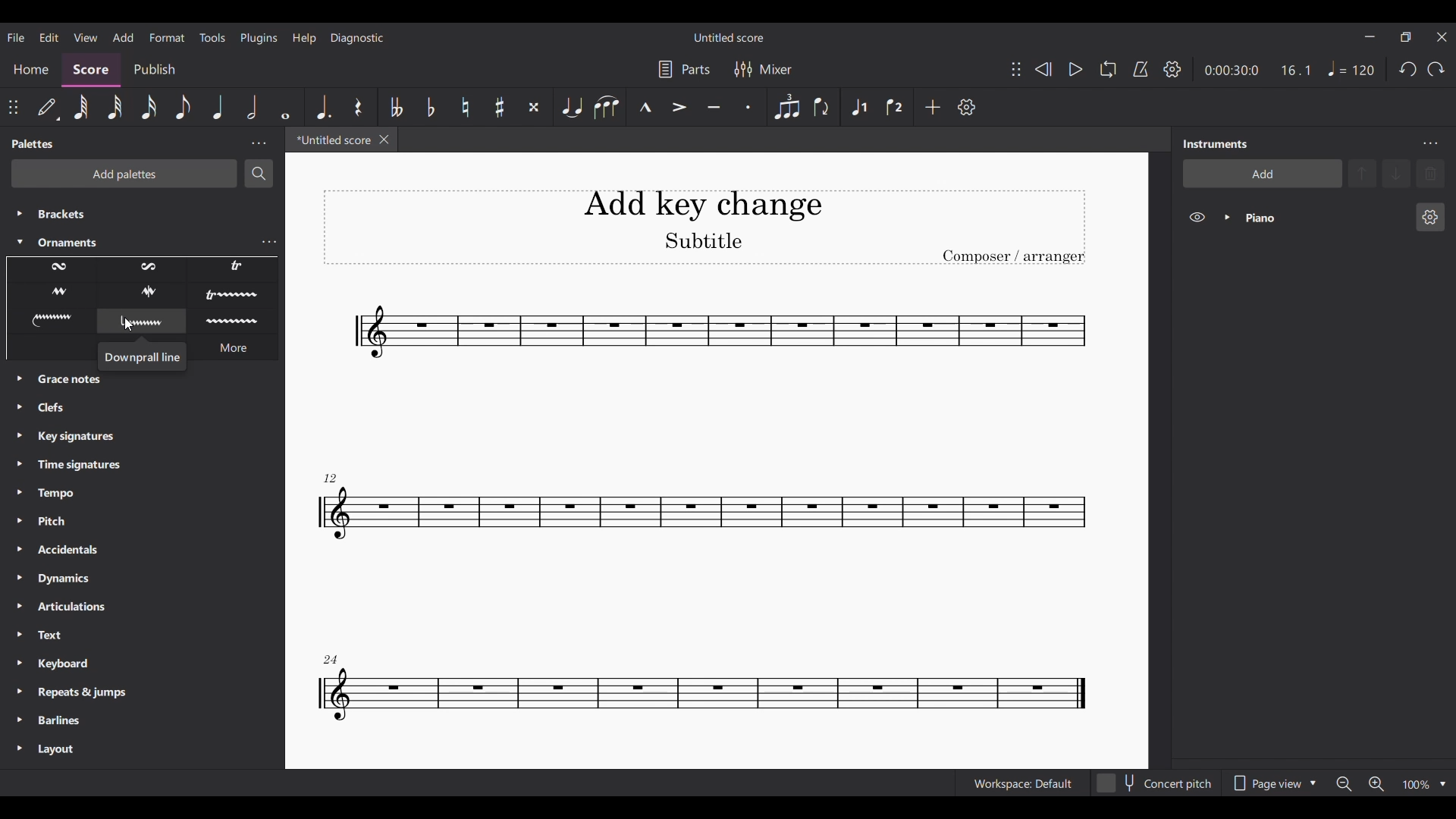  What do you see at coordinates (155, 71) in the screenshot?
I see `Publish section` at bounding box center [155, 71].